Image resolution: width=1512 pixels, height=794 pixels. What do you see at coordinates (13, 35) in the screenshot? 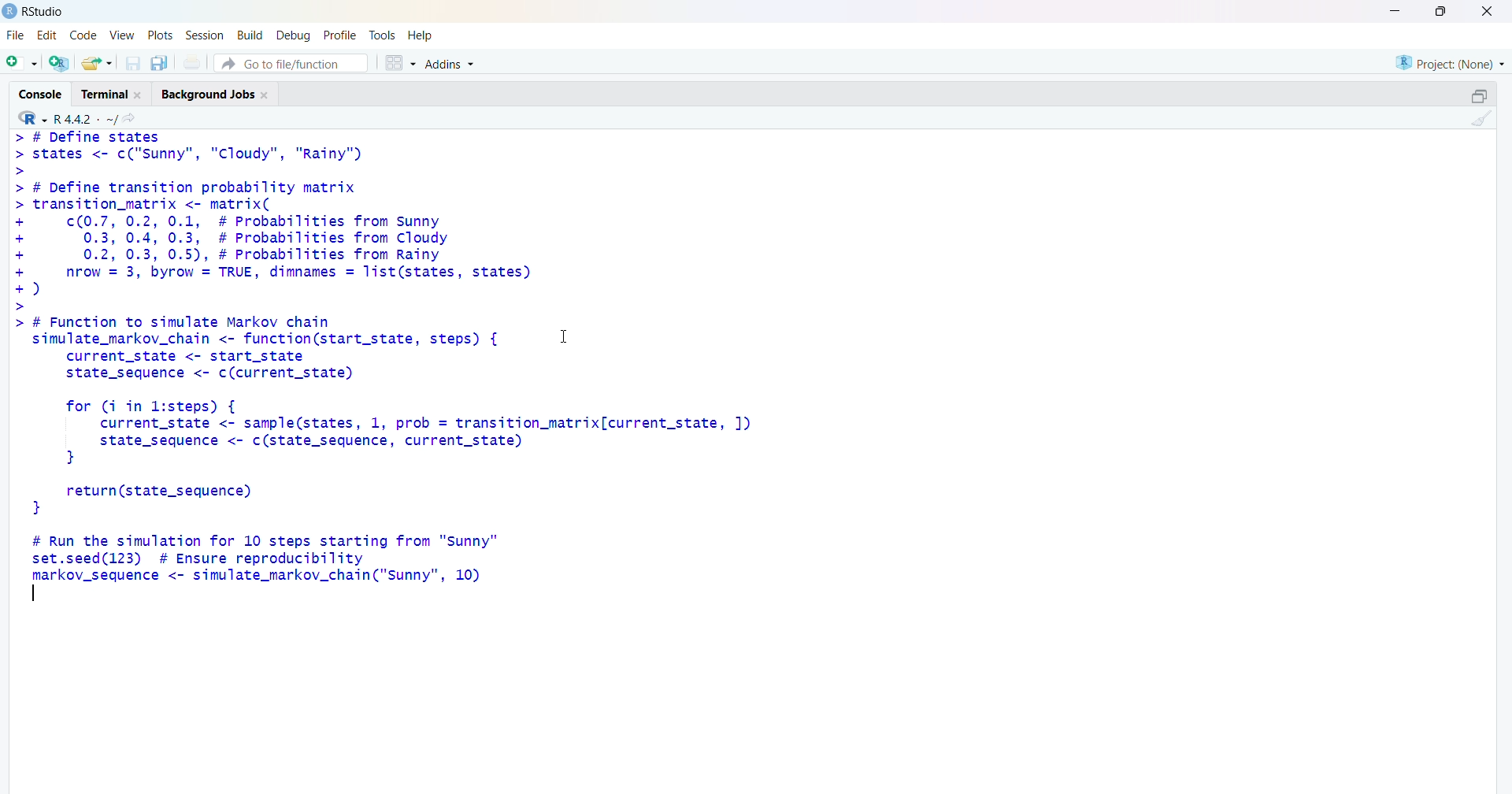
I see `file` at bounding box center [13, 35].